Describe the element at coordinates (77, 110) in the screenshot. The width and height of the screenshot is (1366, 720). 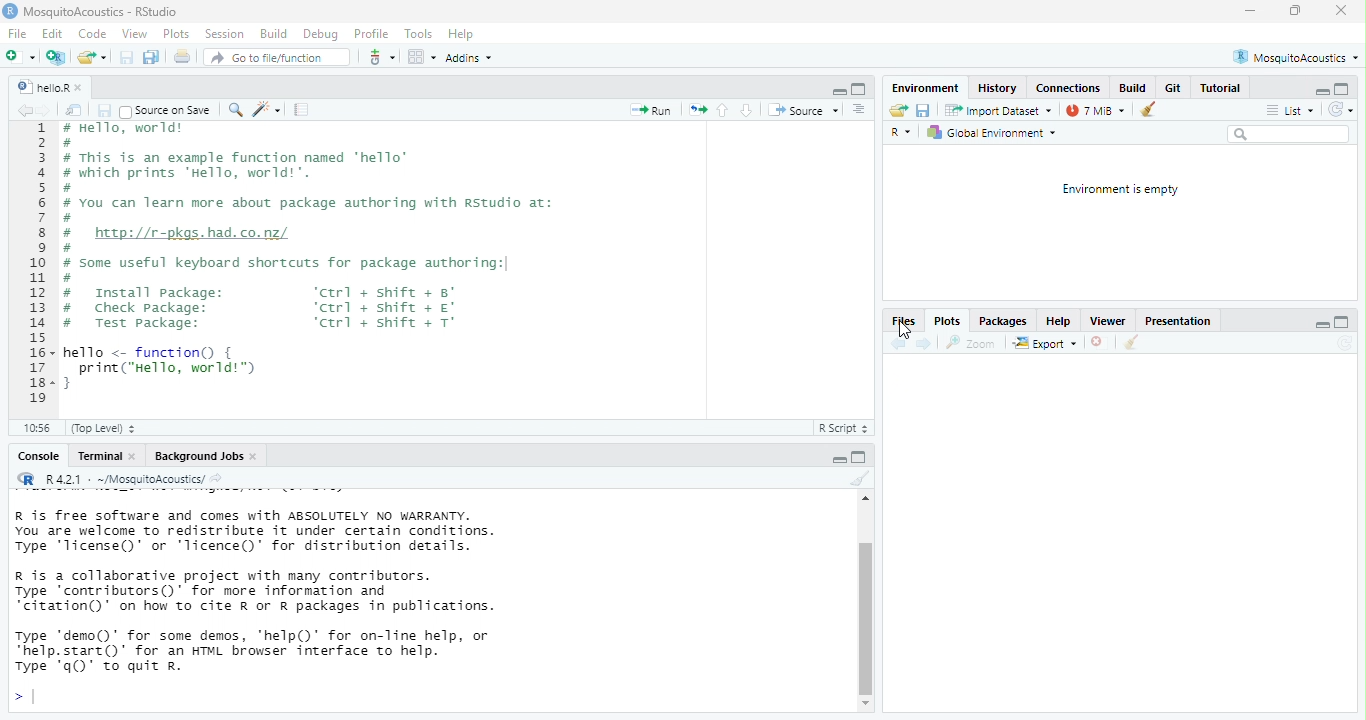
I see `show in new window` at that location.